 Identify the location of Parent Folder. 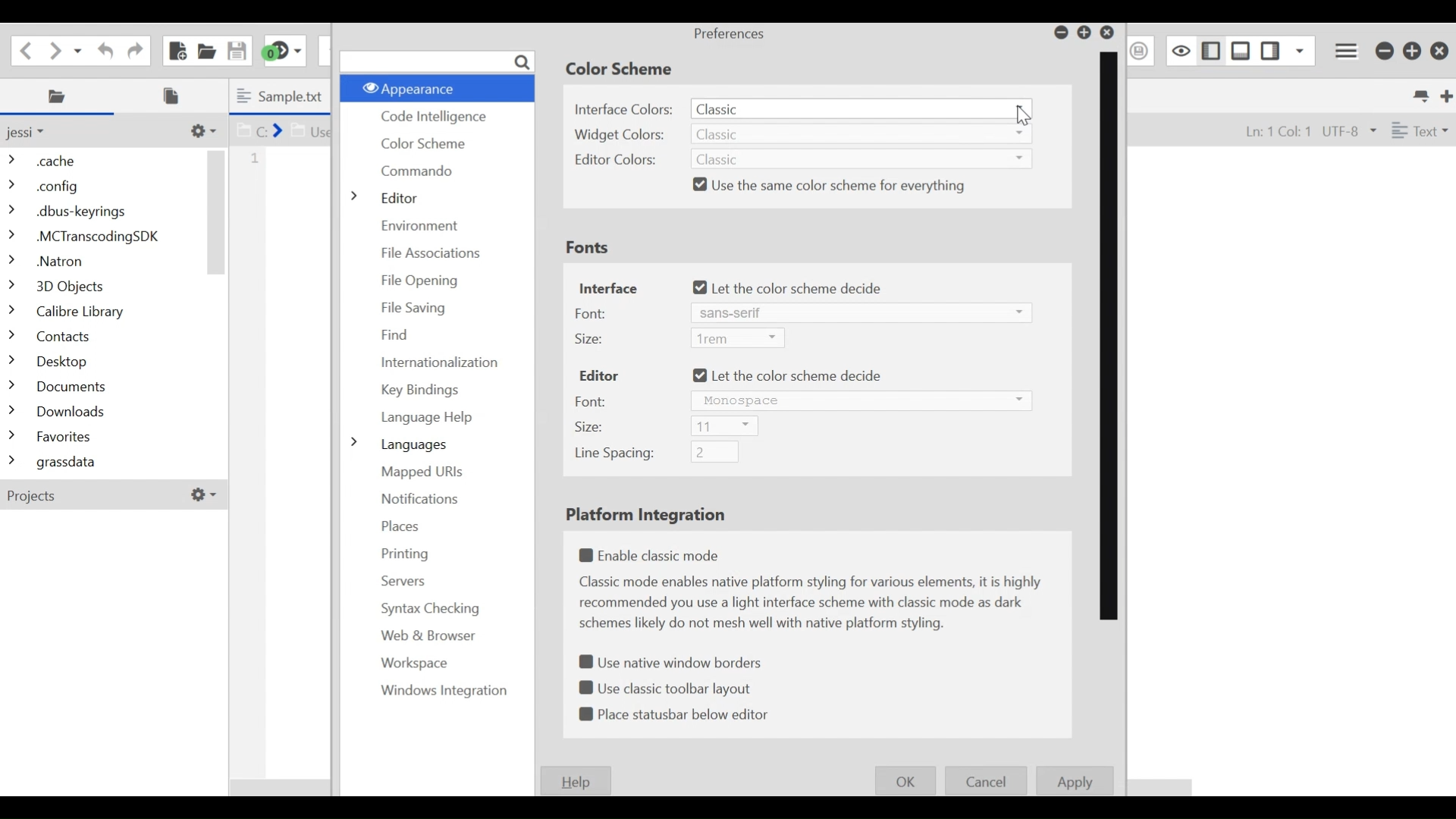
(34, 132).